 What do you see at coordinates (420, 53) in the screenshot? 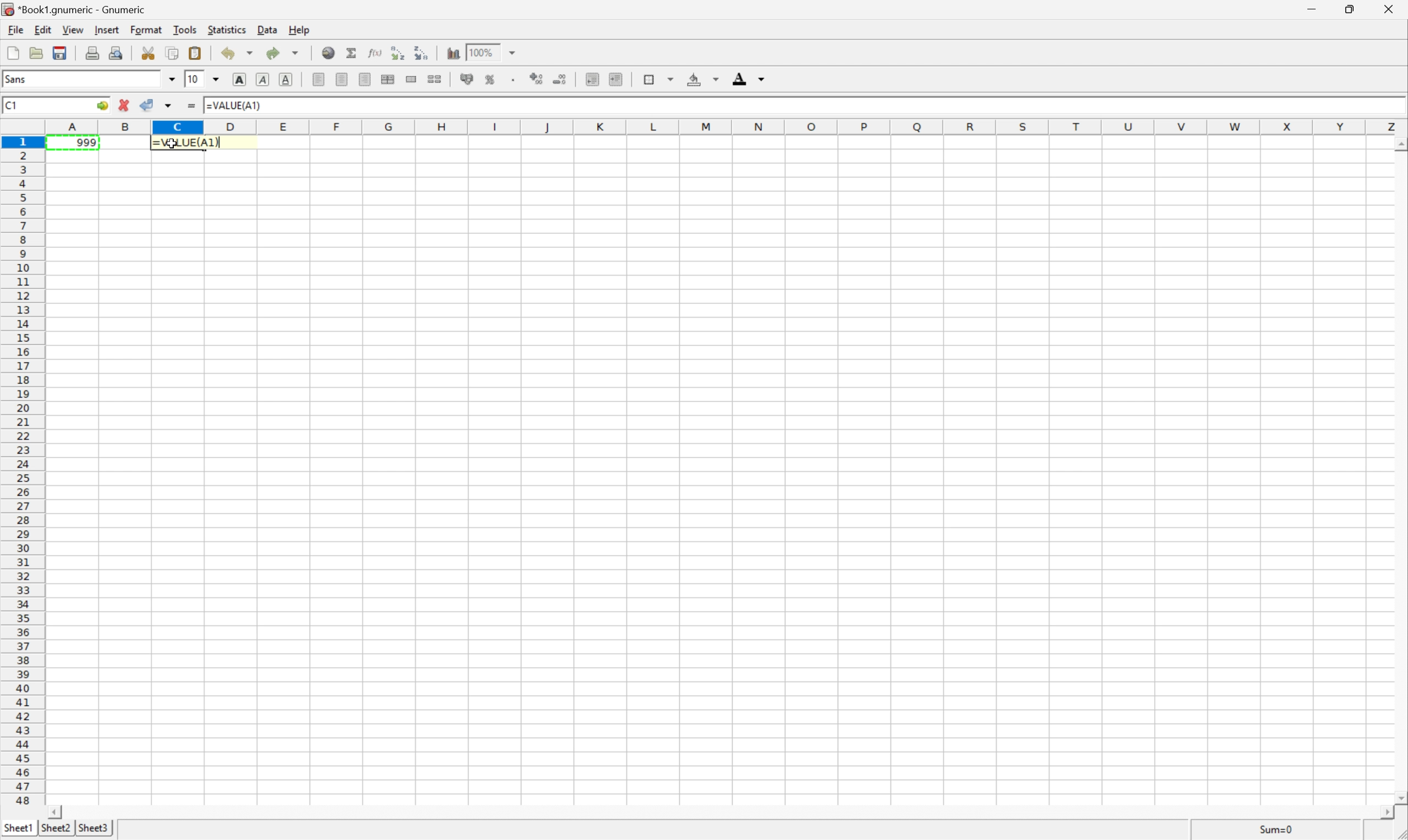
I see `Sort the selected region in descending order based on the first column selected` at bounding box center [420, 53].